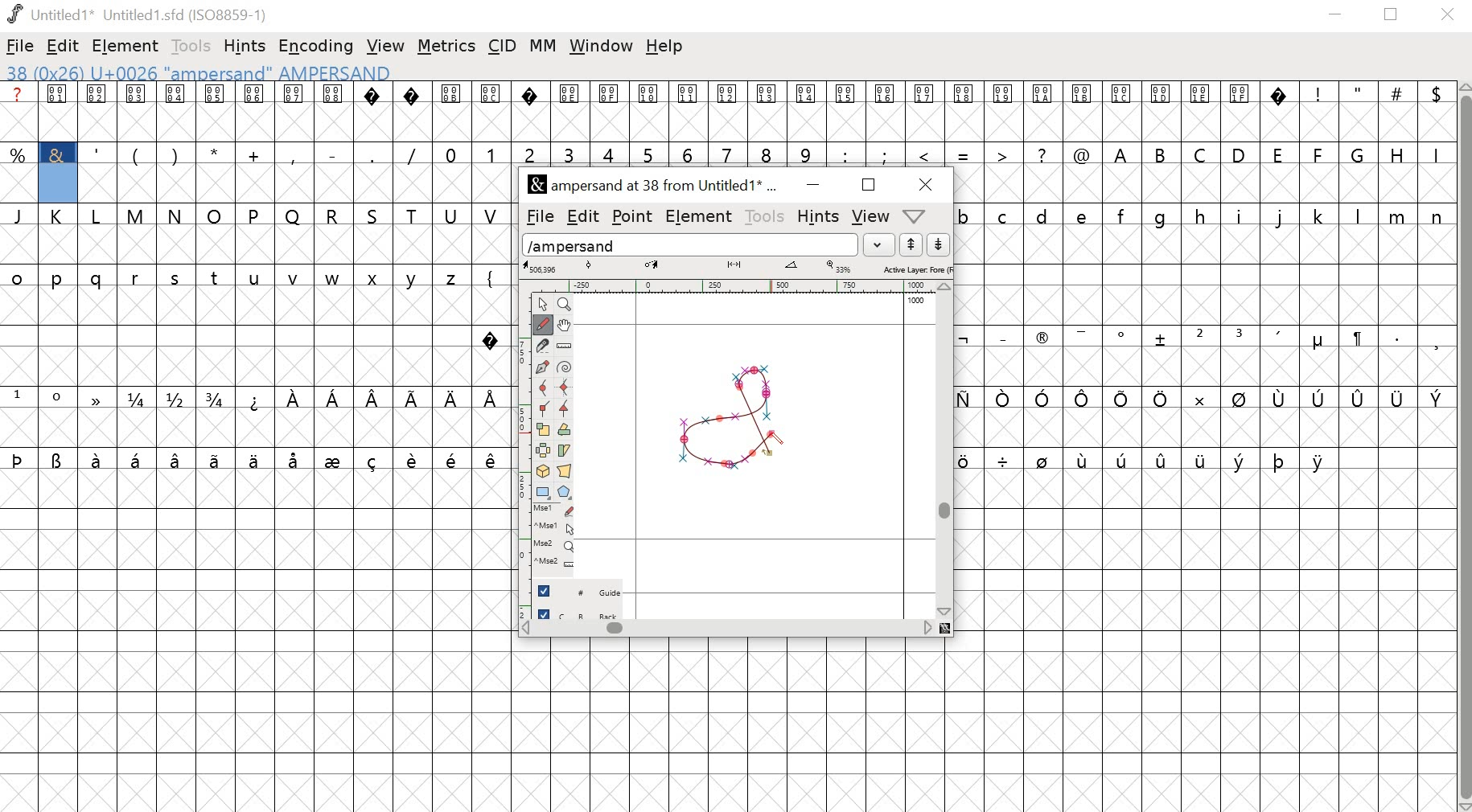 The height and width of the screenshot is (812, 1472). What do you see at coordinates (374, 112) in the screenshot?
I see `?` at bounding box center [374, 112].